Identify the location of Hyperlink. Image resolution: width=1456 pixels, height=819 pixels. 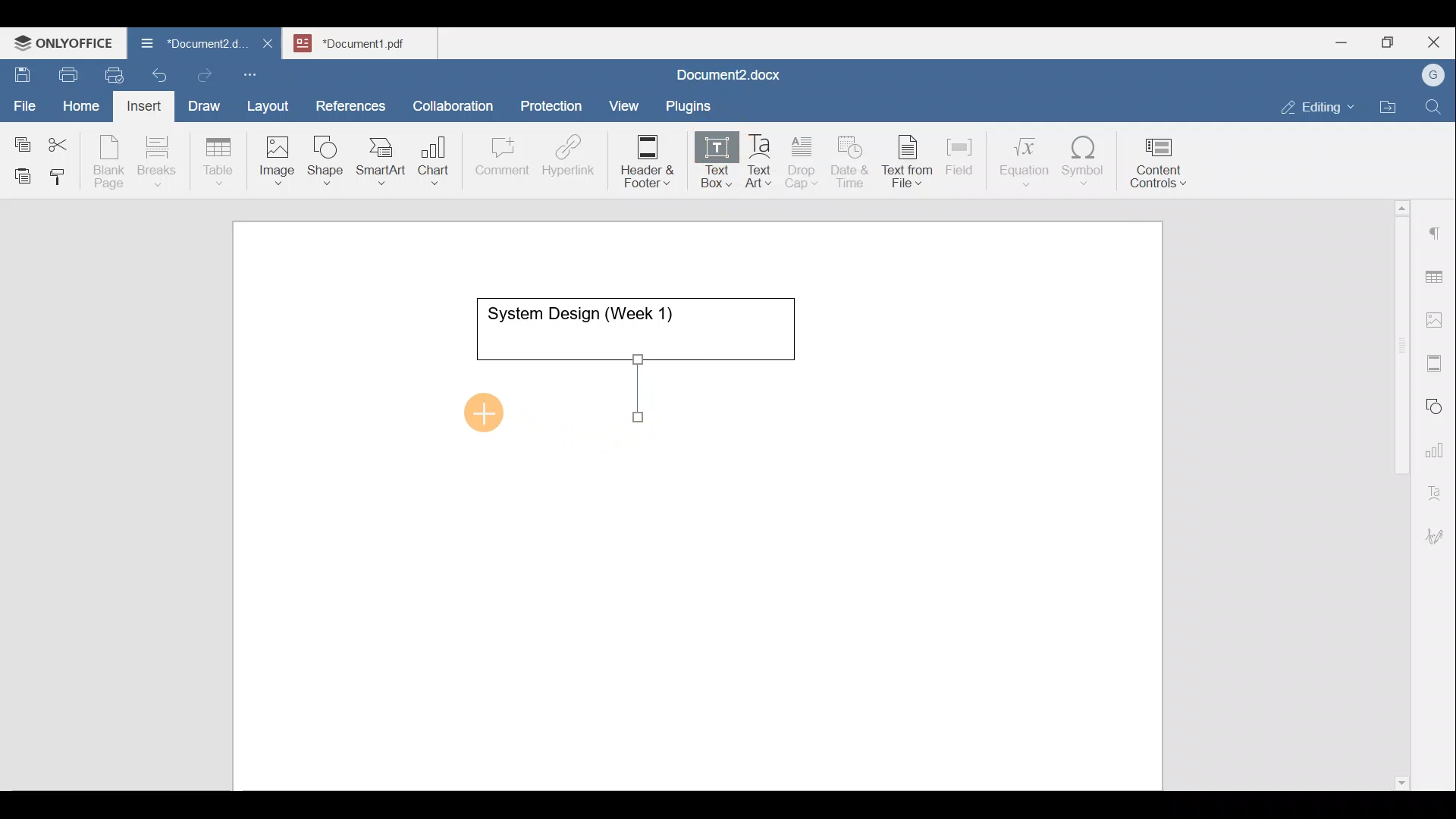
(573, 160).